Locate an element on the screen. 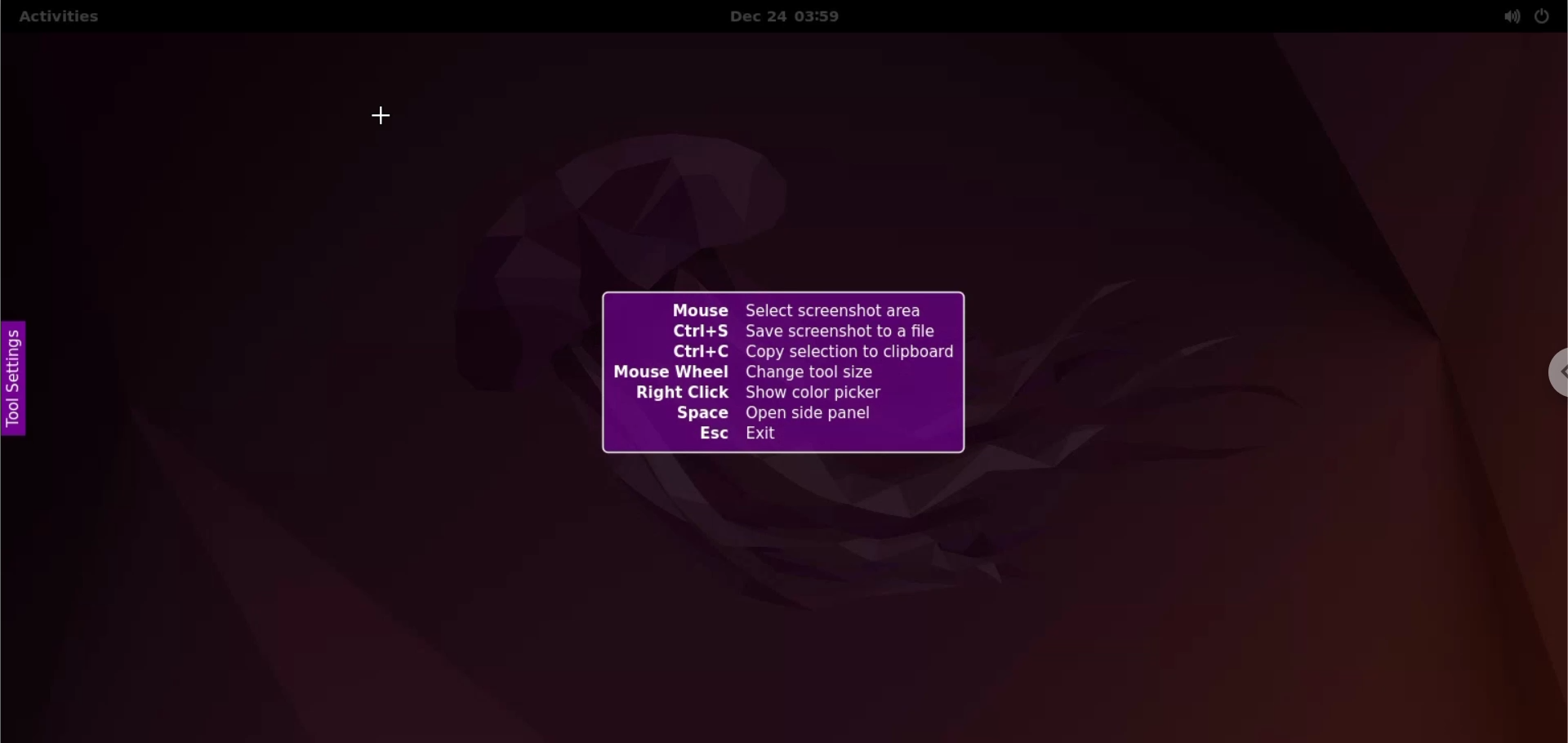 This screenshot has width=1568, height=743. tool settings  is located at coordinates (16, 382).